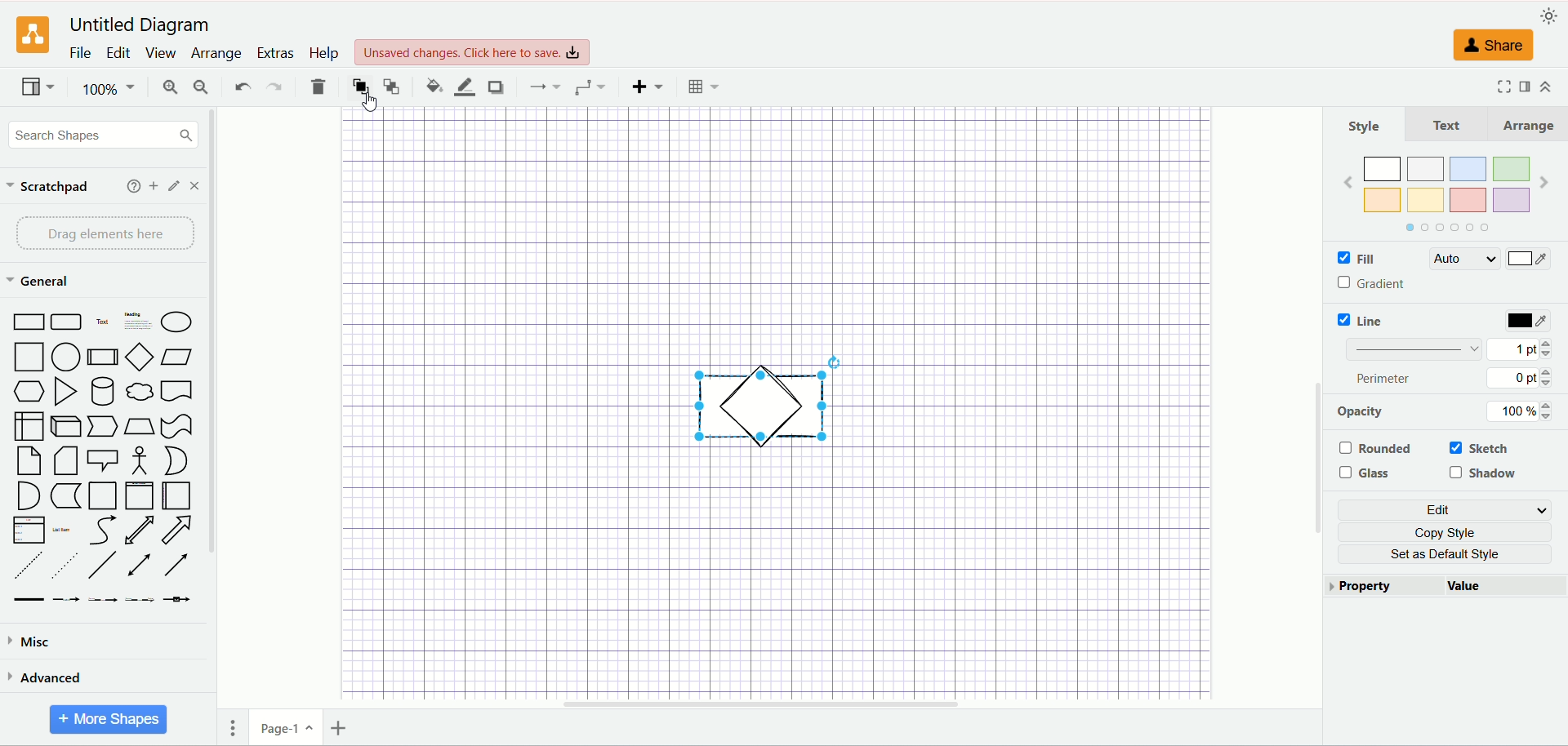  What do you see at coordinates (274, 89) in the screenshot?
I see `redo` at bounding box center [274, 89].